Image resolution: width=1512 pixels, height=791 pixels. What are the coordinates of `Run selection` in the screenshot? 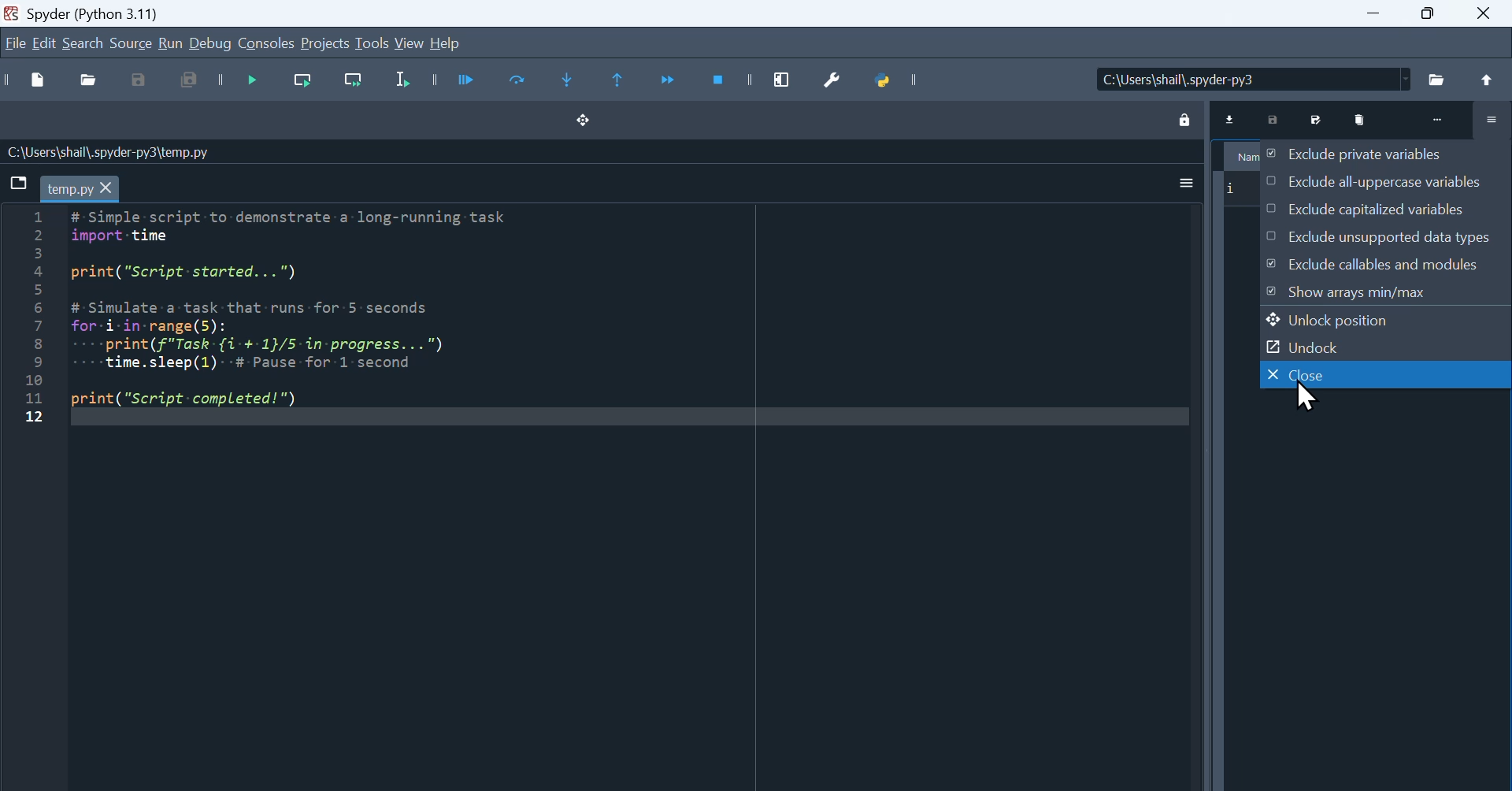 It's located at (402, 80).